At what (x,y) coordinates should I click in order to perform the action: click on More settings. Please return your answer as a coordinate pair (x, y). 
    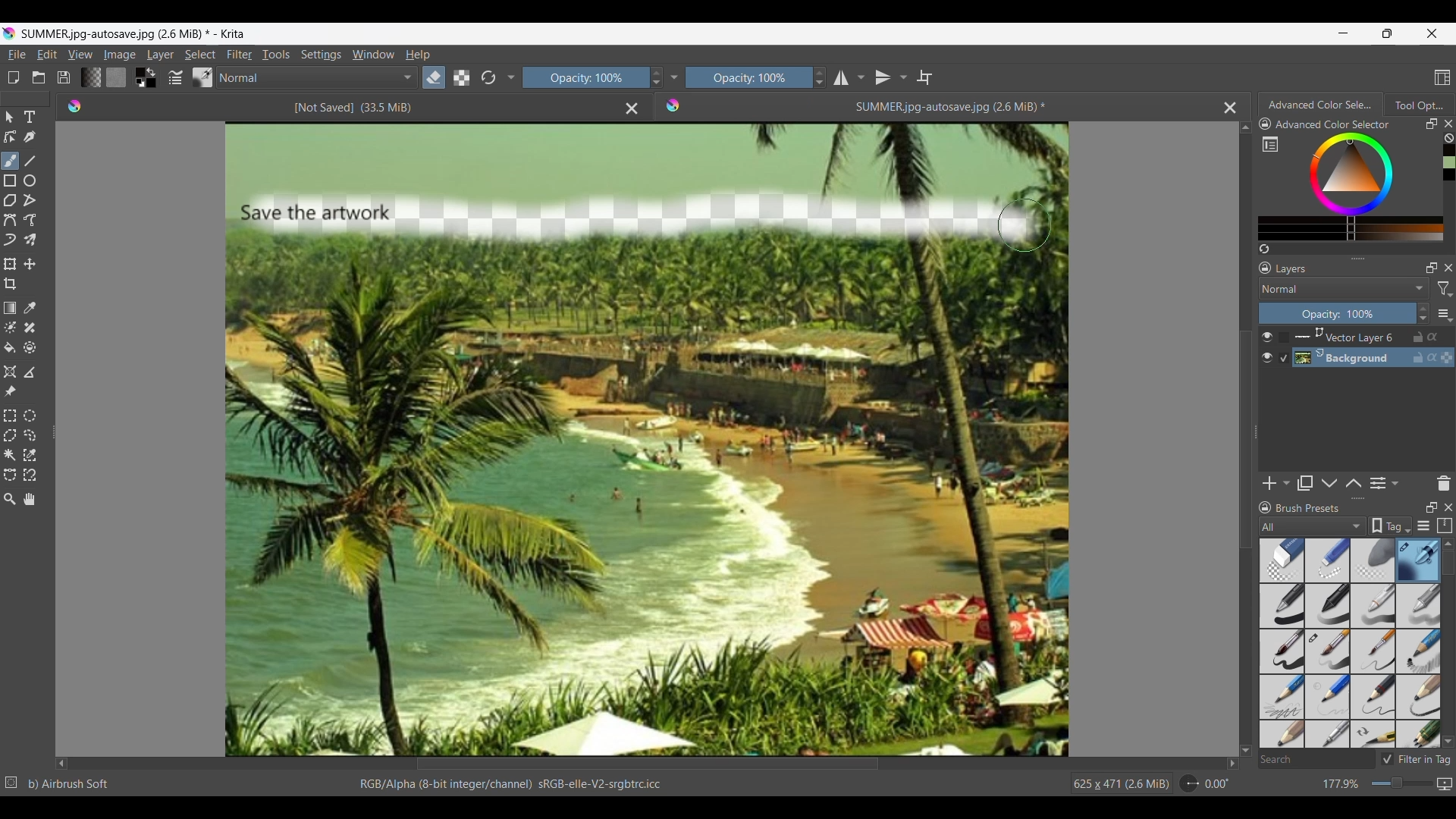
    Looking at the image, I should click on (1444, 313).